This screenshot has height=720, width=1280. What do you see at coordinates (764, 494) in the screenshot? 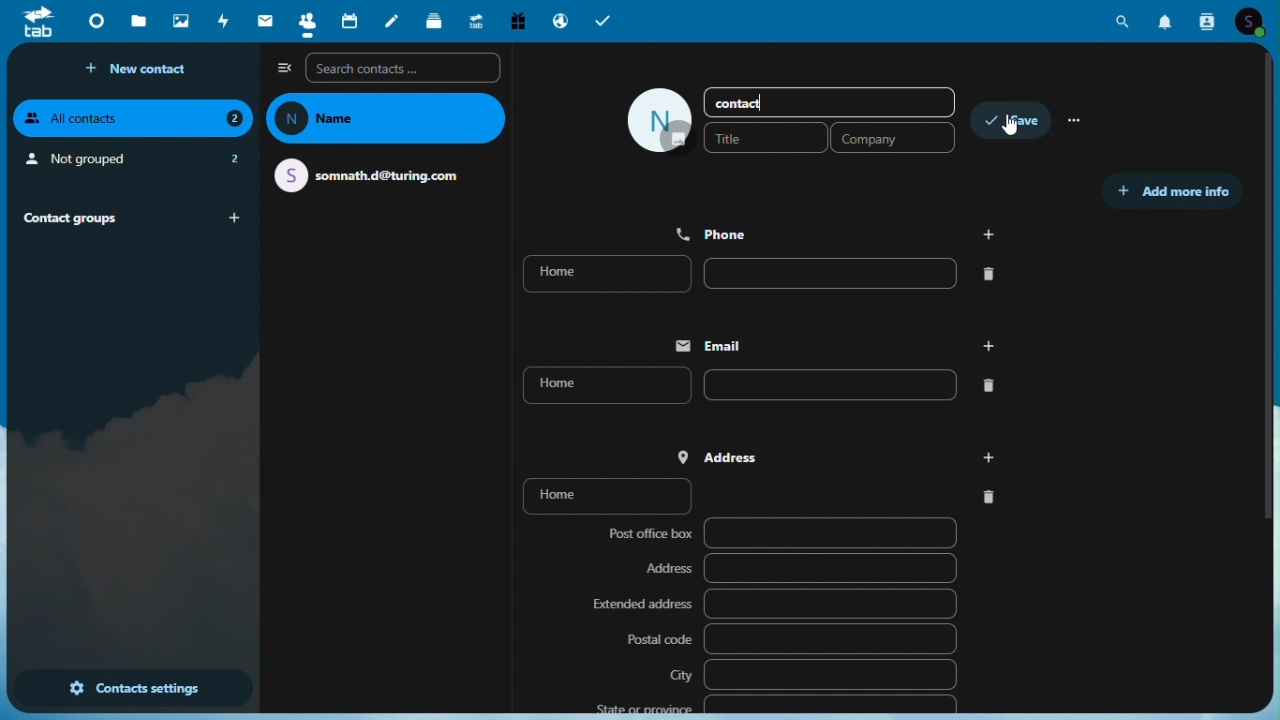
I see `home` at bounding box center [764, 494].